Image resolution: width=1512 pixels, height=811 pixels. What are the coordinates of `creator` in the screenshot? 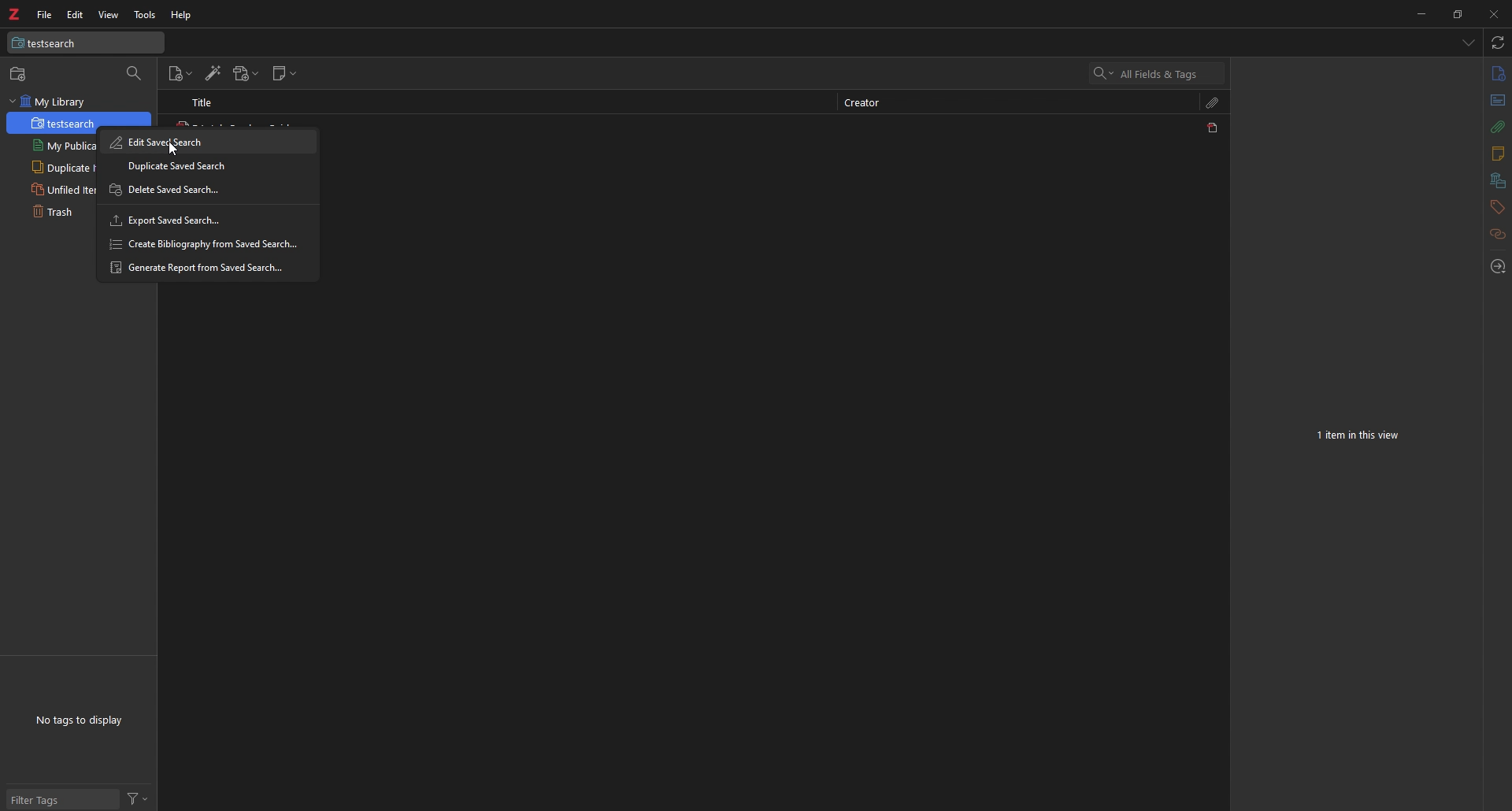 It's located at (868, 104).